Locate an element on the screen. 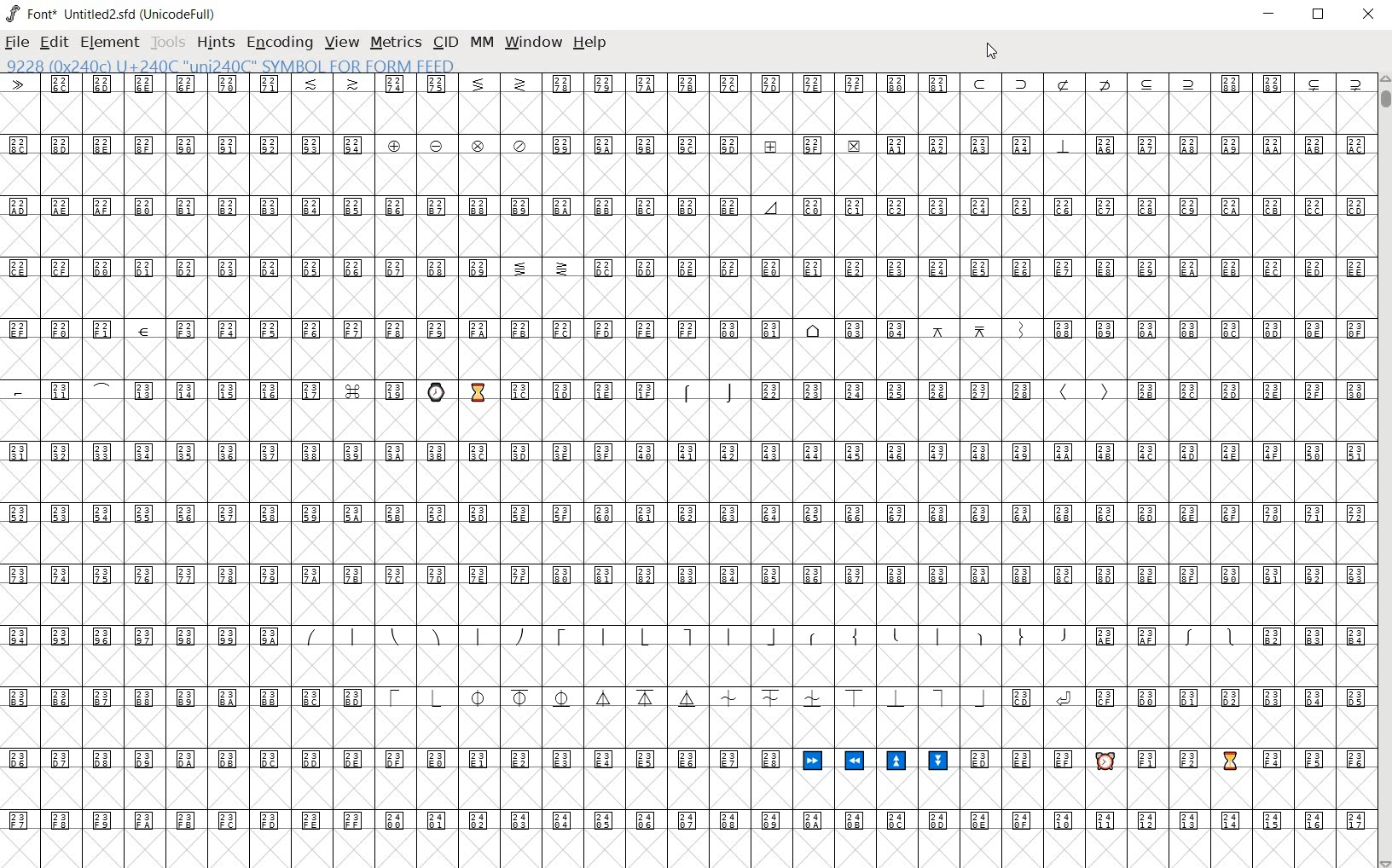 Image resolution: width=1392 pixels, height=868 pixels. cid is located at coordinates (444, 43).